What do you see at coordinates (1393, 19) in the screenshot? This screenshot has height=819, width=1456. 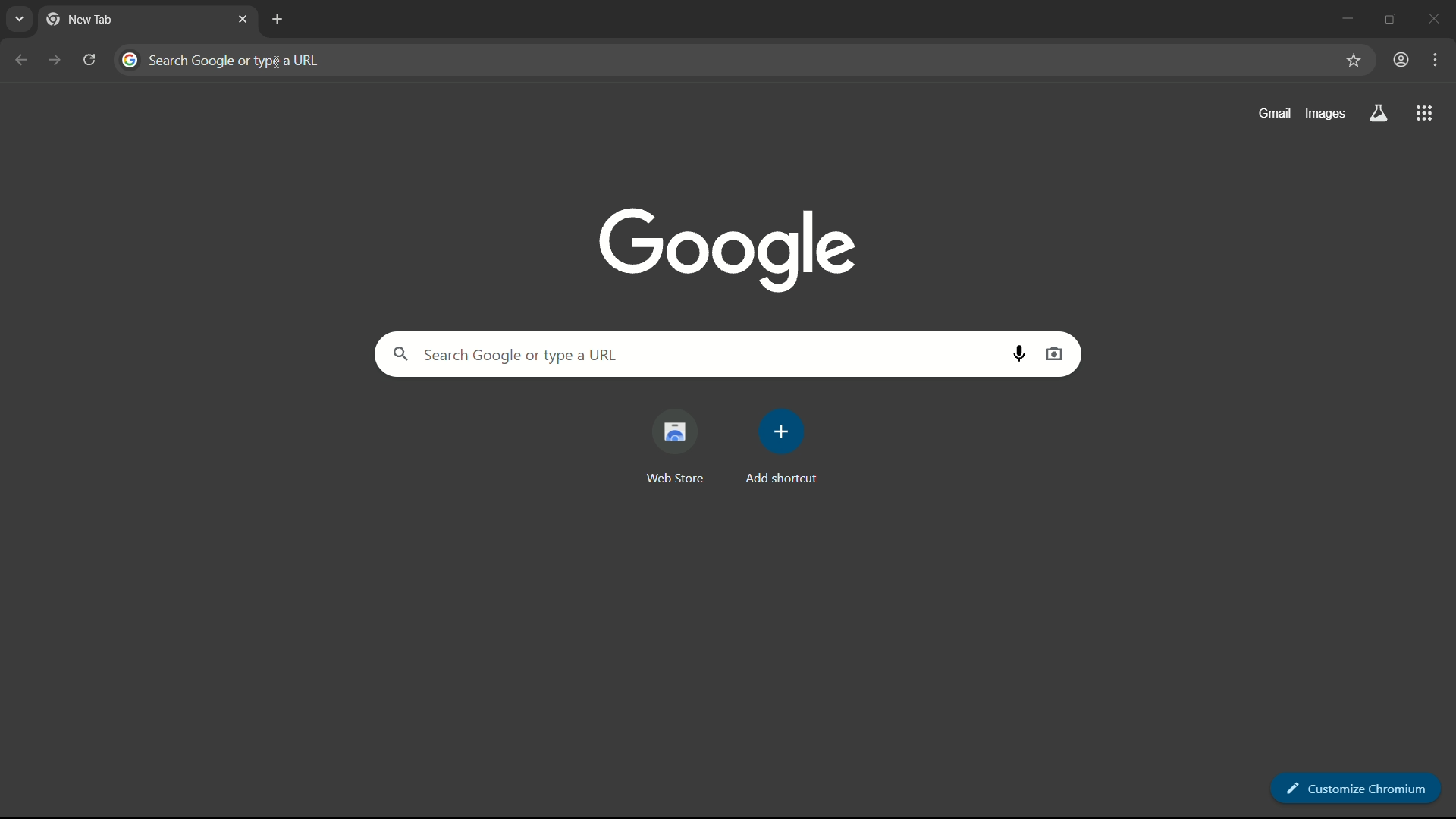 I see `maximize or restore` at bounding box center [1393, 19].